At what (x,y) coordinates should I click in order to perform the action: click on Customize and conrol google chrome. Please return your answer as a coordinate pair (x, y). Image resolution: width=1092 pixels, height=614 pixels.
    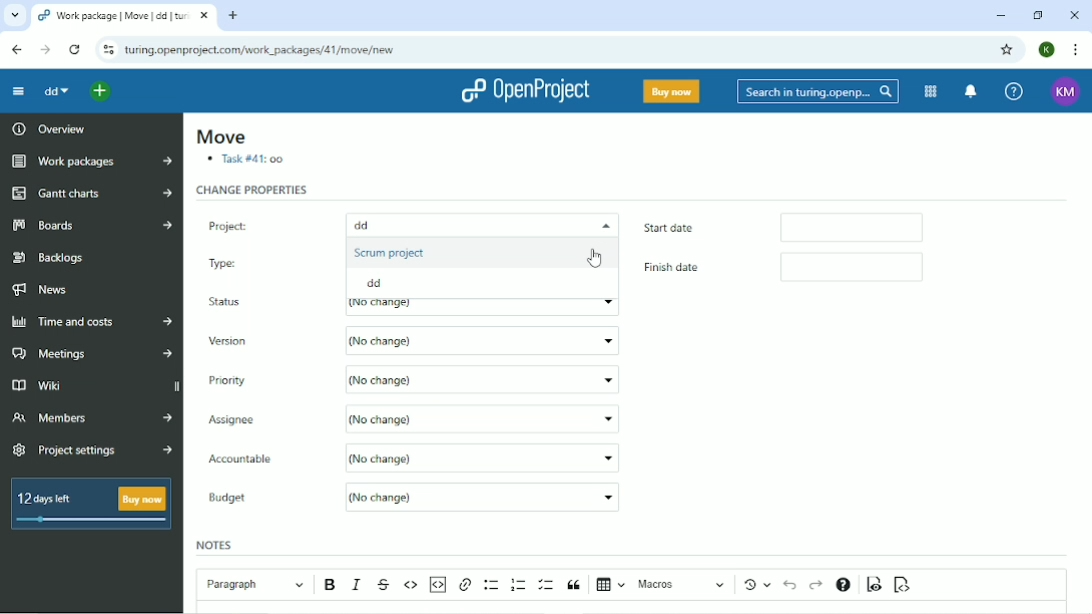
    Looking at the image, I should click on (1076, 50).